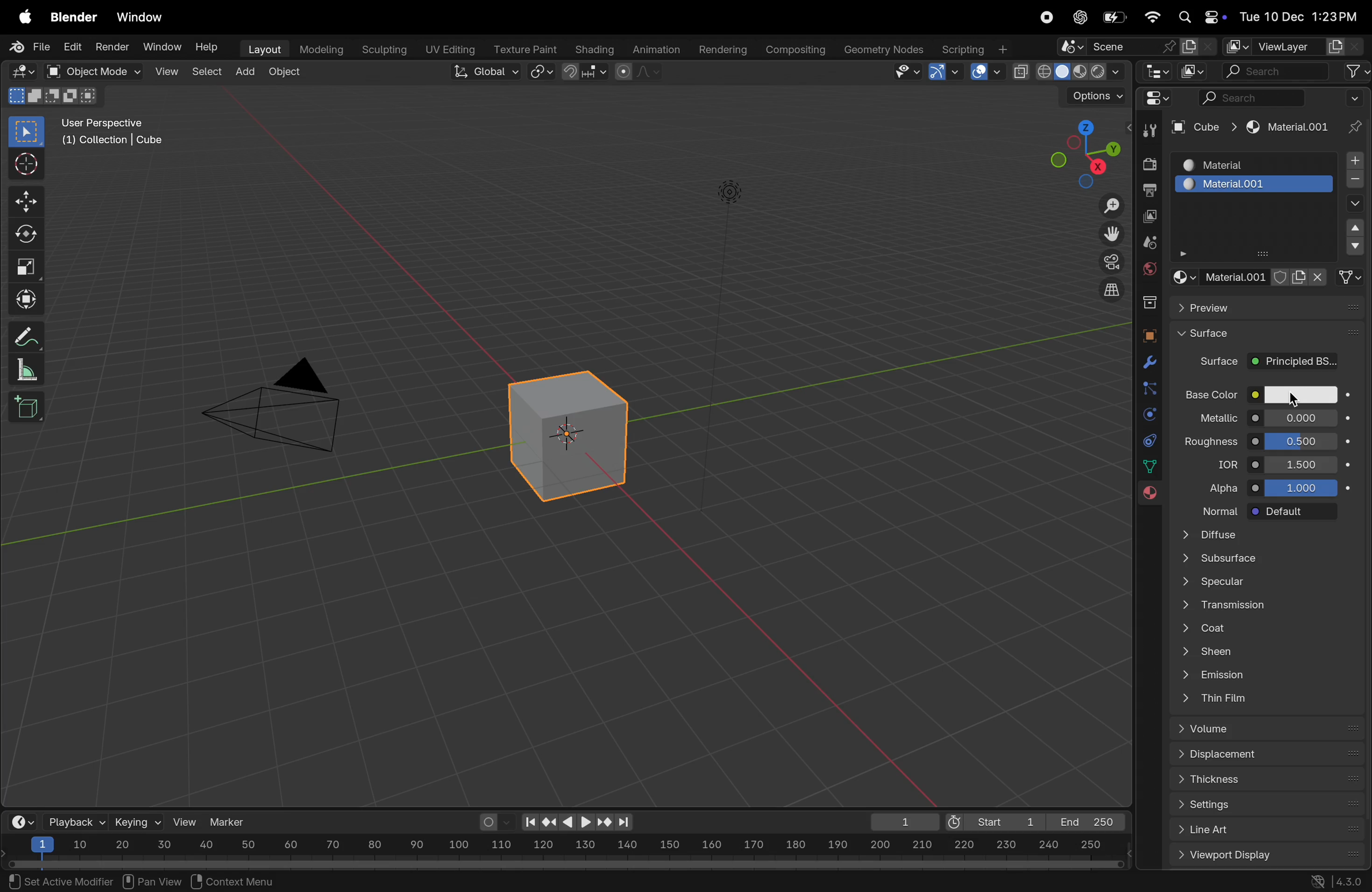 This screenshot has height=892, width=1372. I want to click on volume, so click(1272, 729).